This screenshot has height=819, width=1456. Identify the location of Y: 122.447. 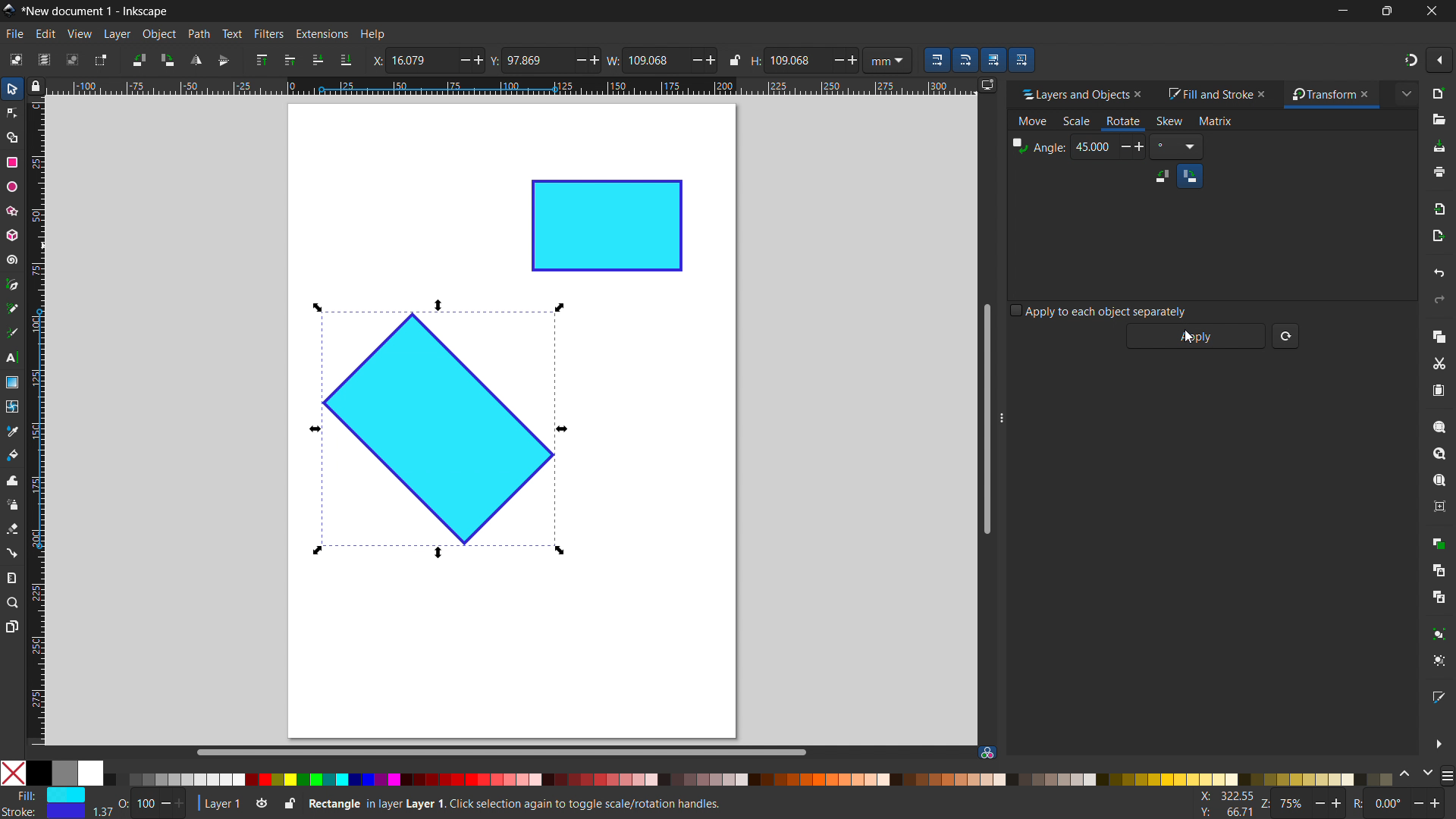
(526, 60).